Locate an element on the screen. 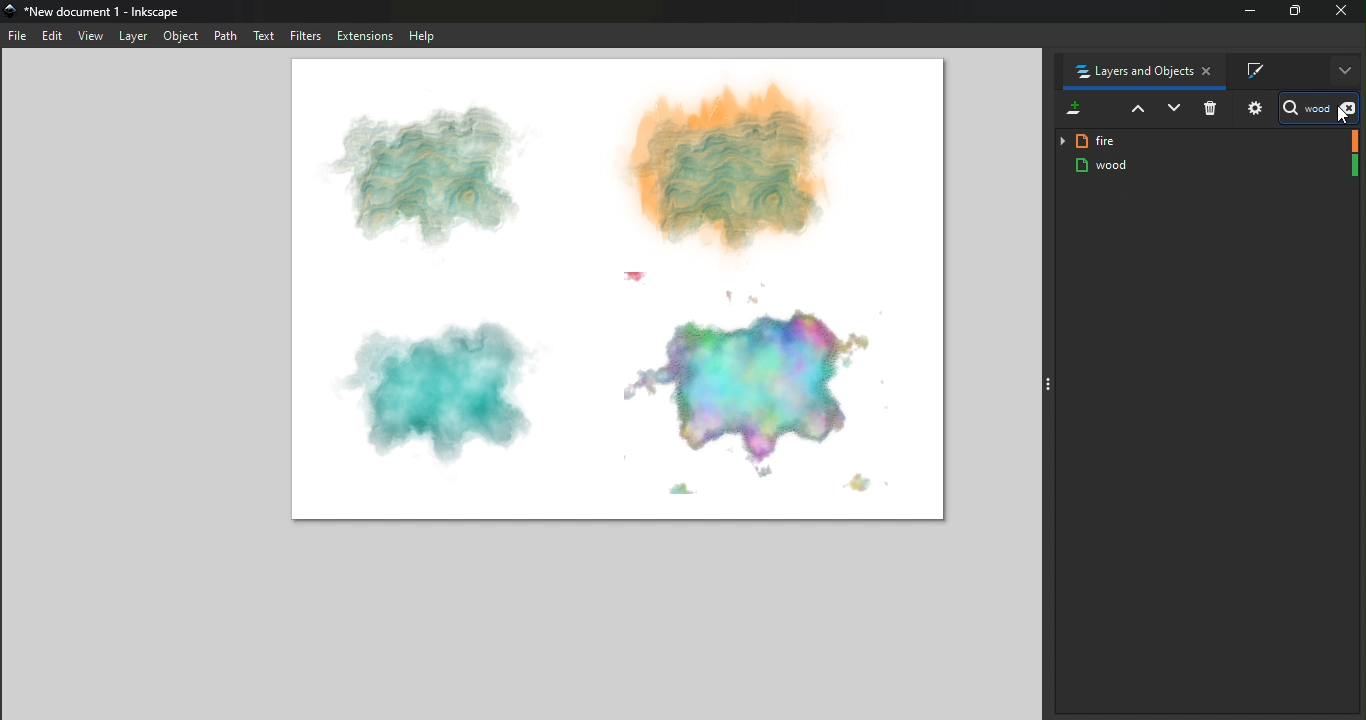 The image size is (1366, 720). More options is located at coordinates (1345, 70).